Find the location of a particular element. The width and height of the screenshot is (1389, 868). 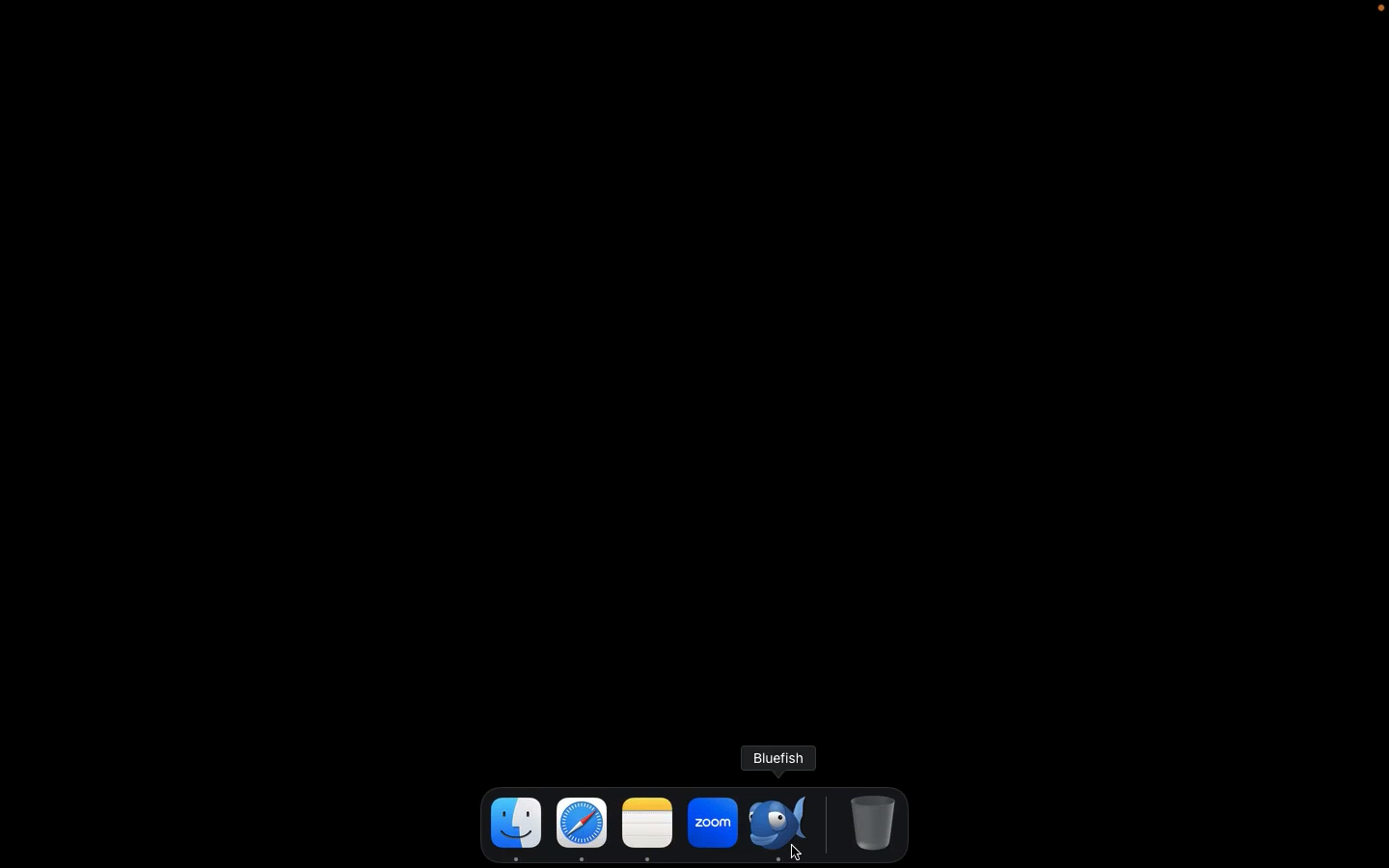

safari is located at coordinates (583, 823).